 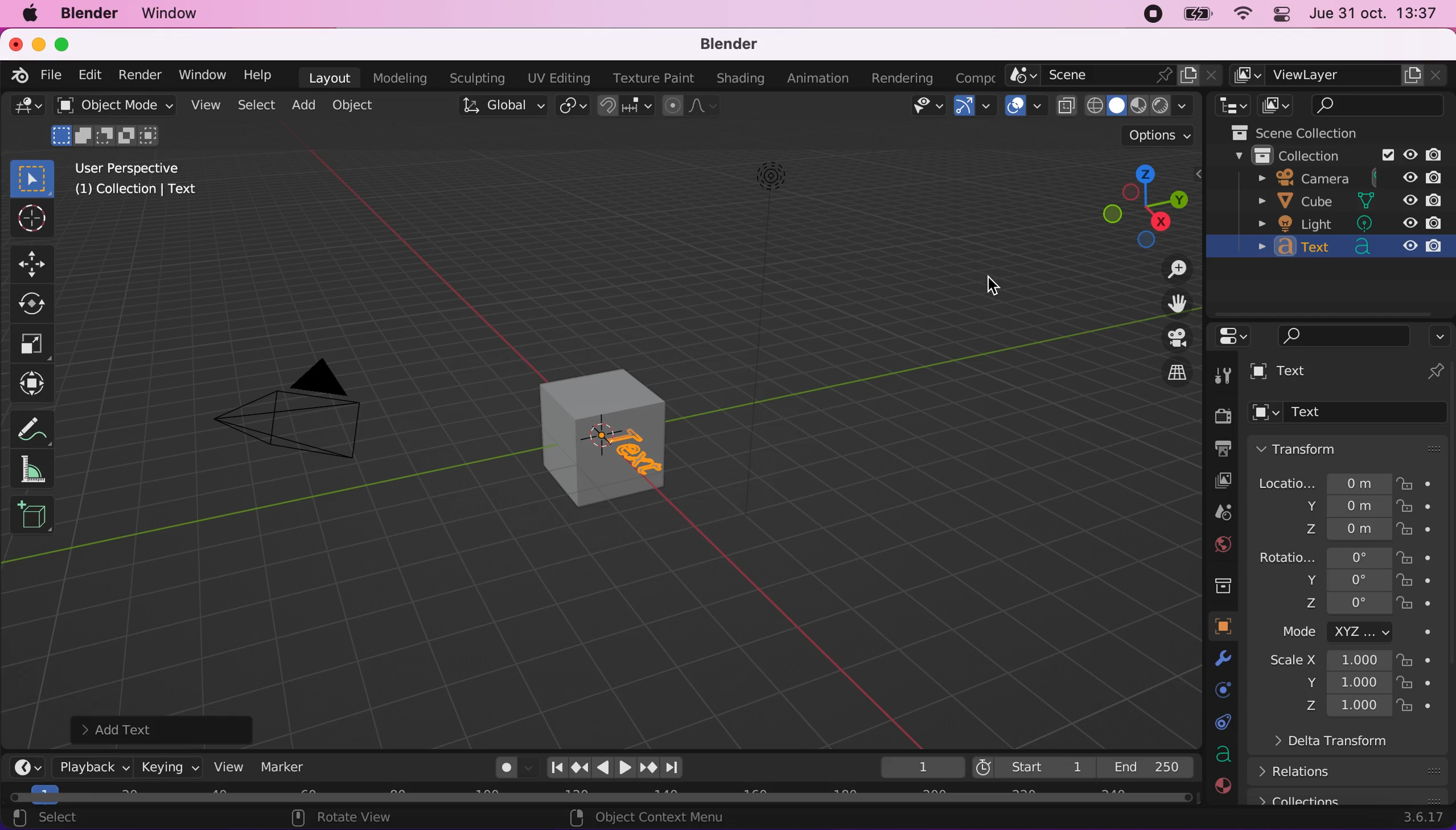 What do you see at coordinates (1323, 660) in the screenshot?
I see `ScaleX 1.000` at bounding box center [1323, 660].